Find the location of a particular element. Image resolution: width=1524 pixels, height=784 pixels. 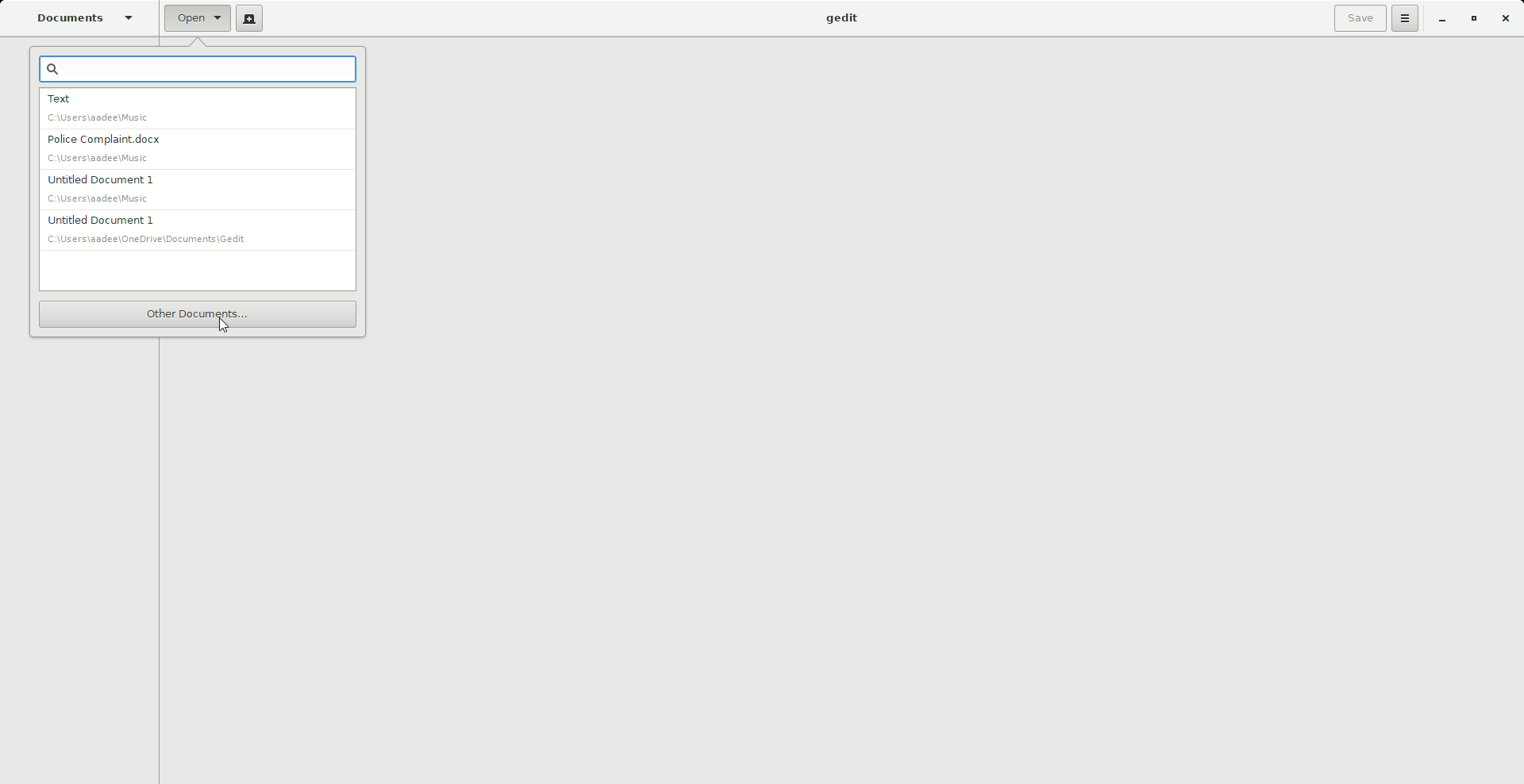

Save is located at coordinates (1360, 19).